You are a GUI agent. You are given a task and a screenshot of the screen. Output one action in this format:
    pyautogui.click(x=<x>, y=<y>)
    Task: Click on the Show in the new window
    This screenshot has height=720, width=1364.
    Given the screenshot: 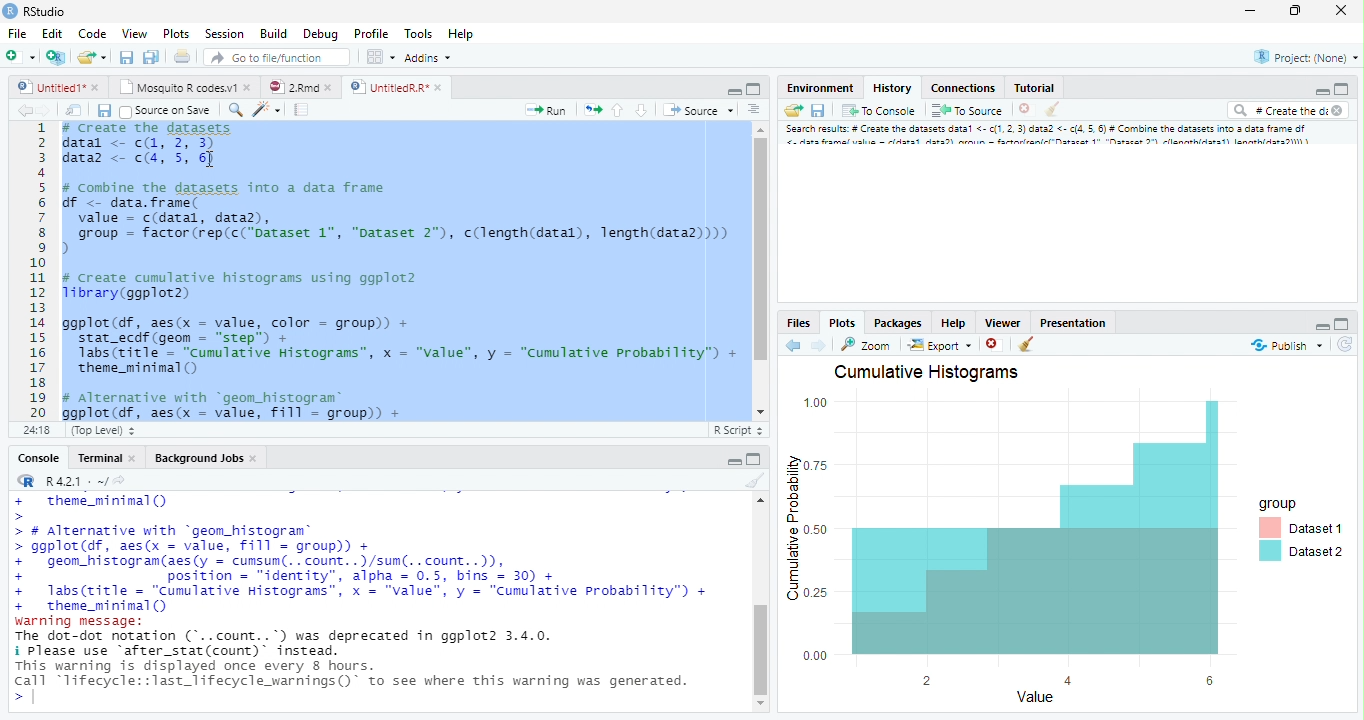 What is the action you would take?
    pyautogui.click(x=72, y=110)
    